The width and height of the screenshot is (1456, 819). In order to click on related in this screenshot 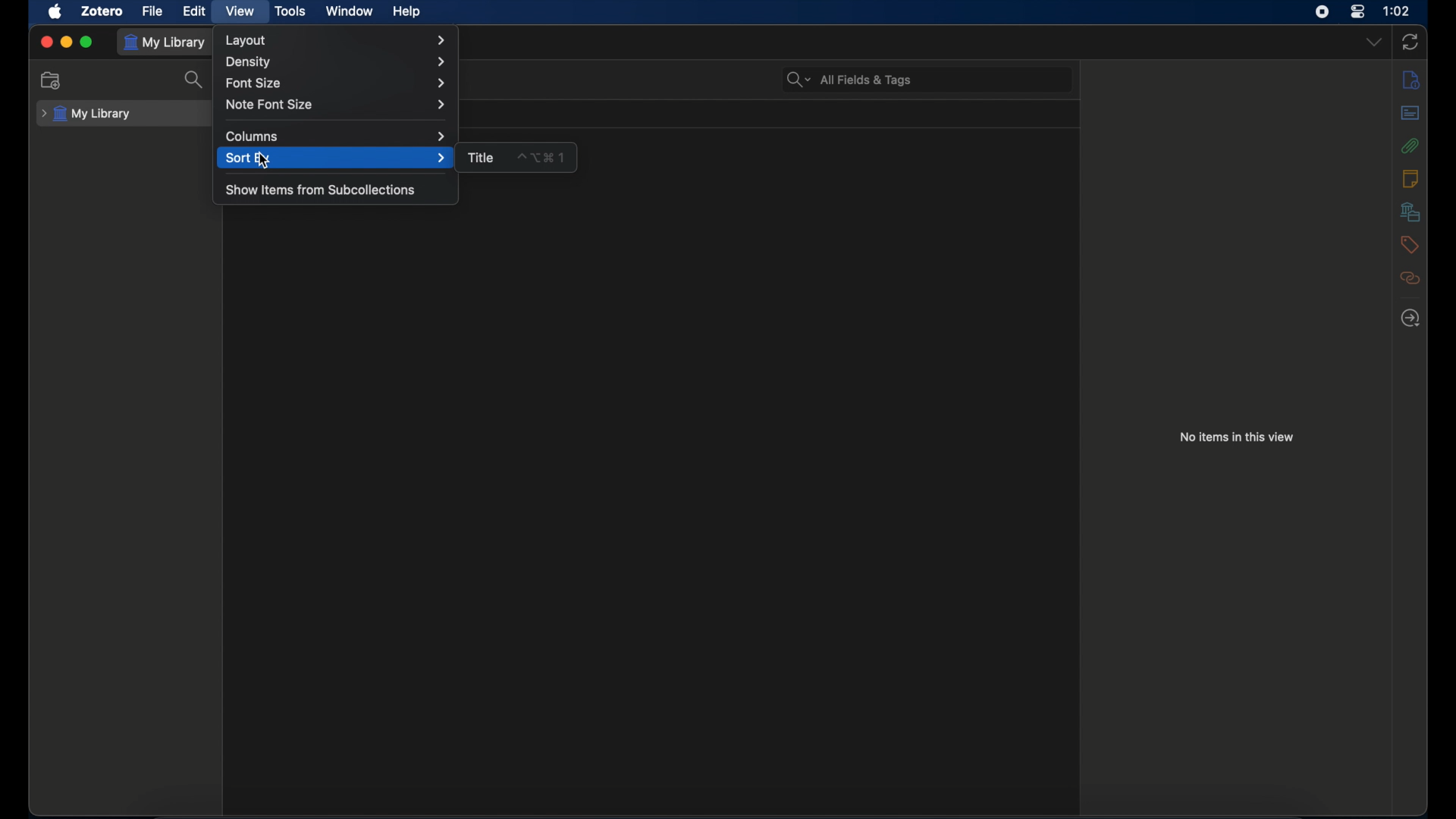, I will do `click(1410, 278)`.